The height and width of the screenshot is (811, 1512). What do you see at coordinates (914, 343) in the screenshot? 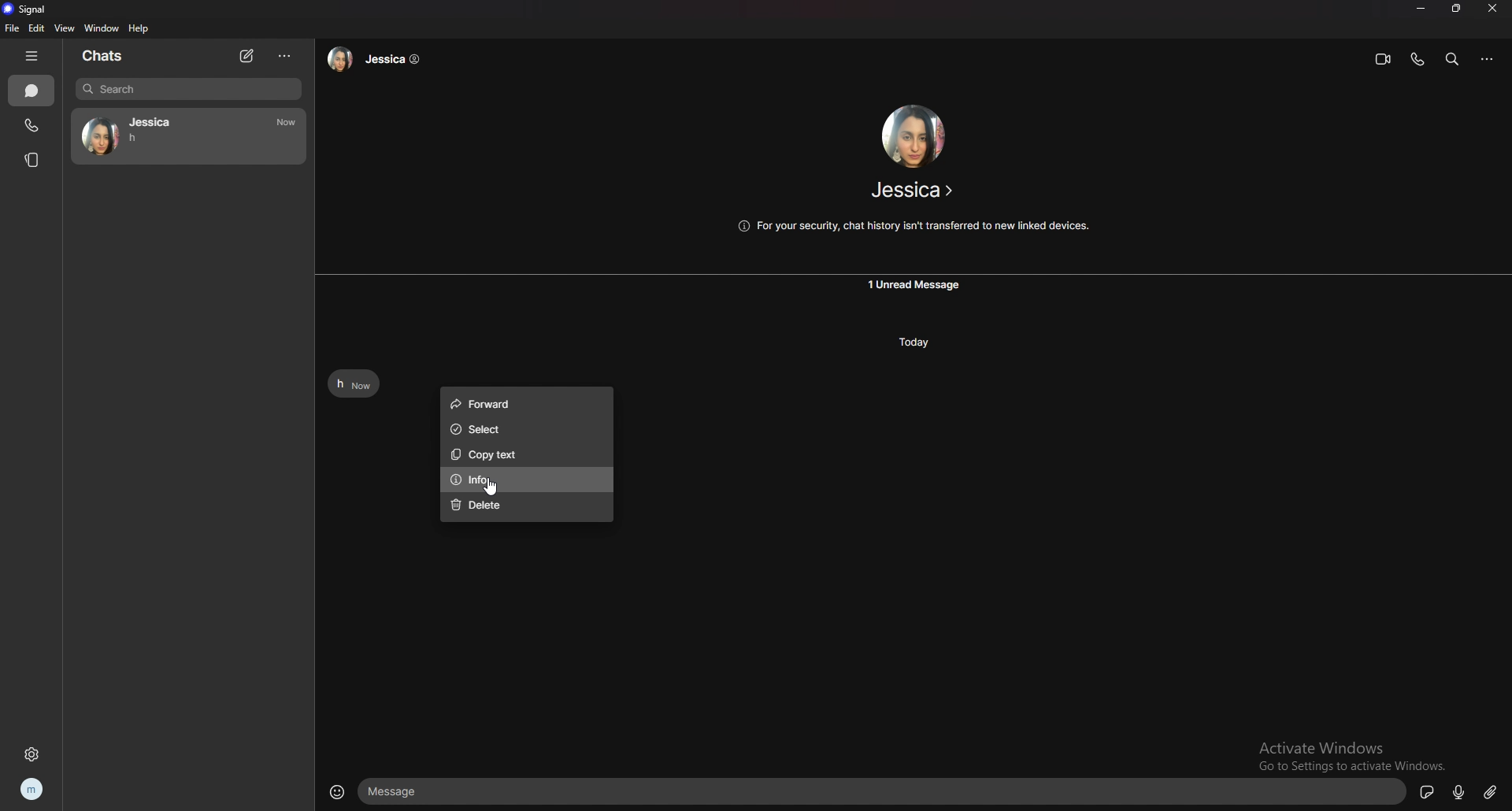
I see `today` at bounding box center [914, 343].